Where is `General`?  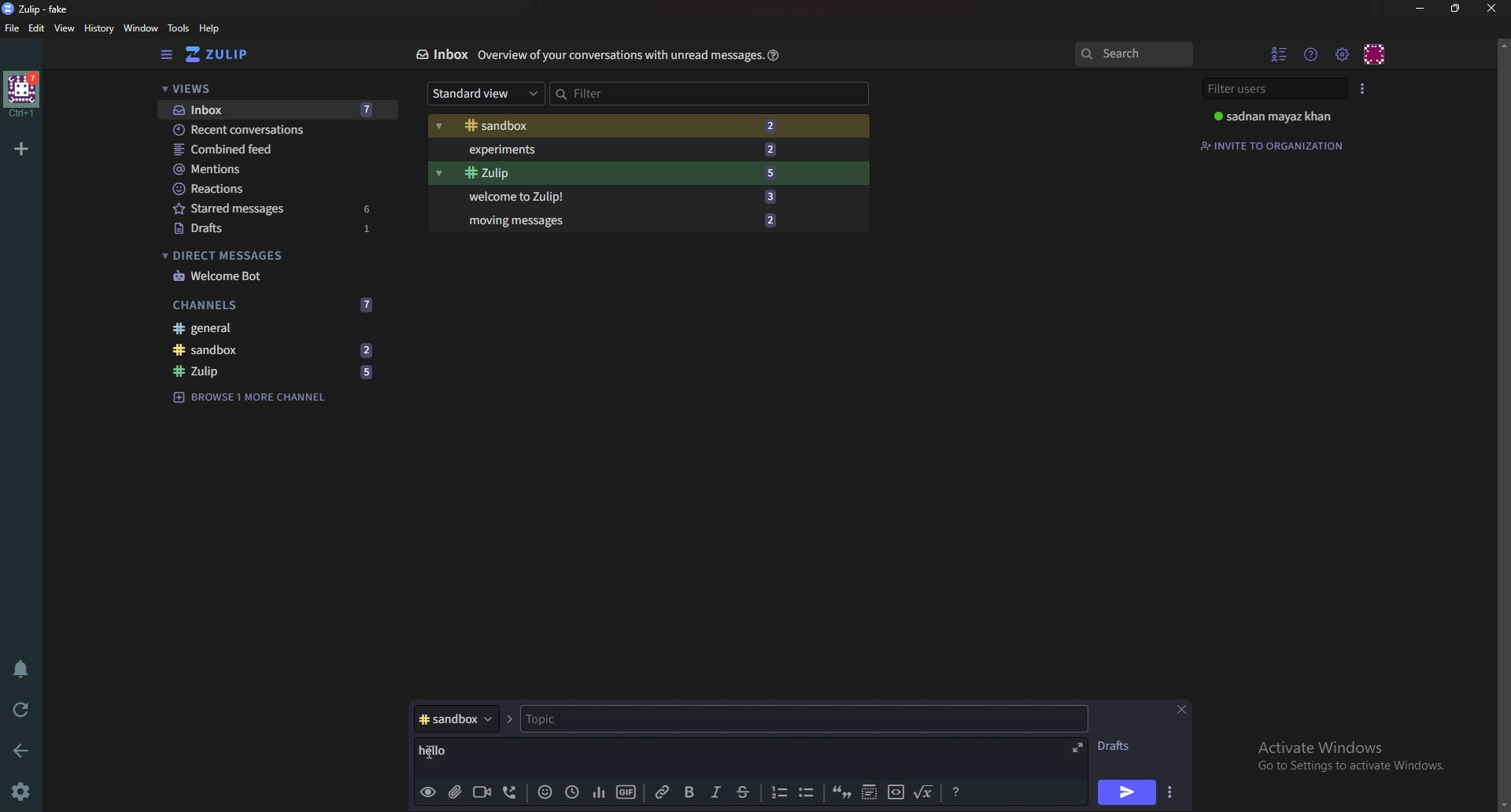 General is located at coordinates (279, 327).